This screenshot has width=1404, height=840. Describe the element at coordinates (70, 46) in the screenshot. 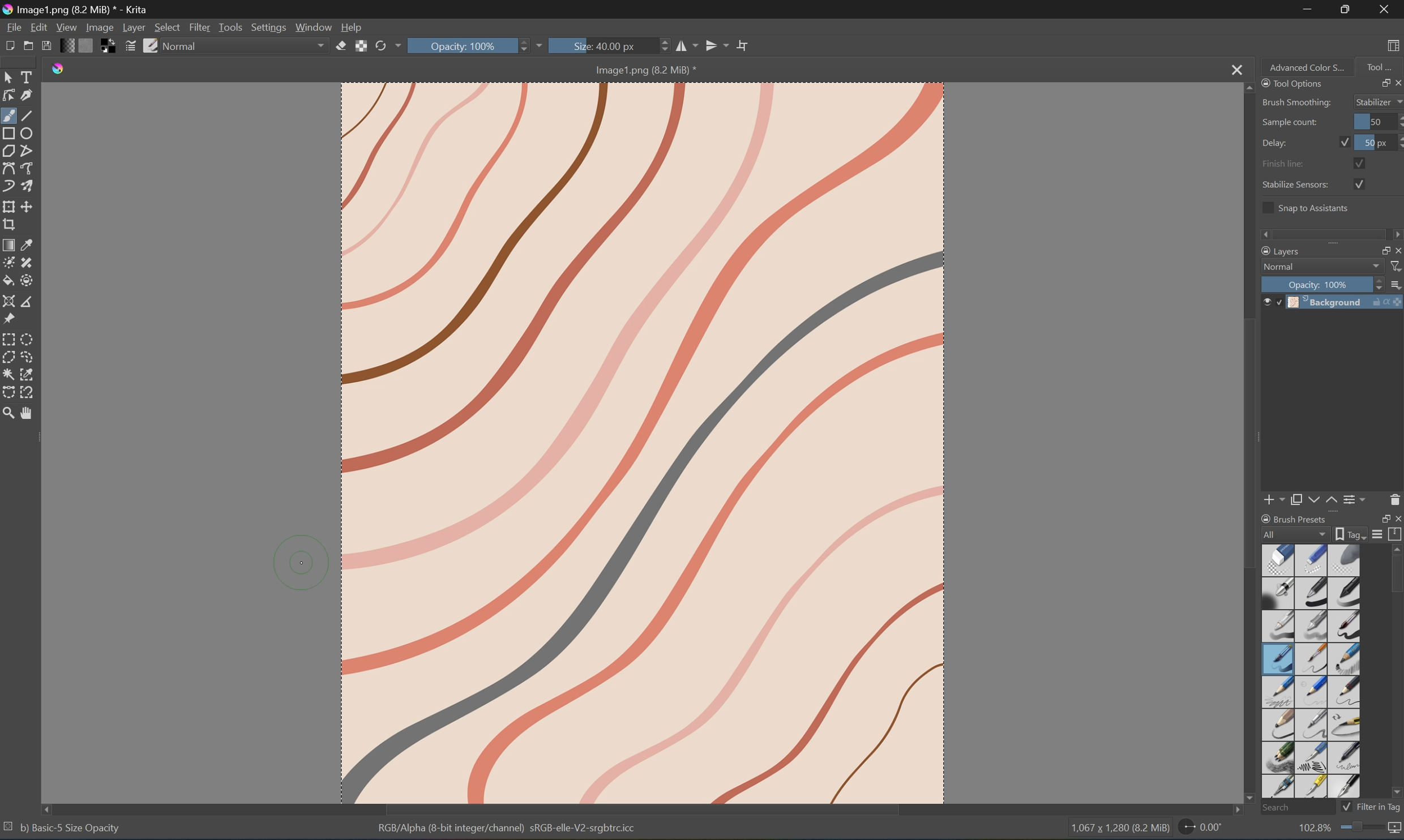

I see `Fill gradients` at that location.